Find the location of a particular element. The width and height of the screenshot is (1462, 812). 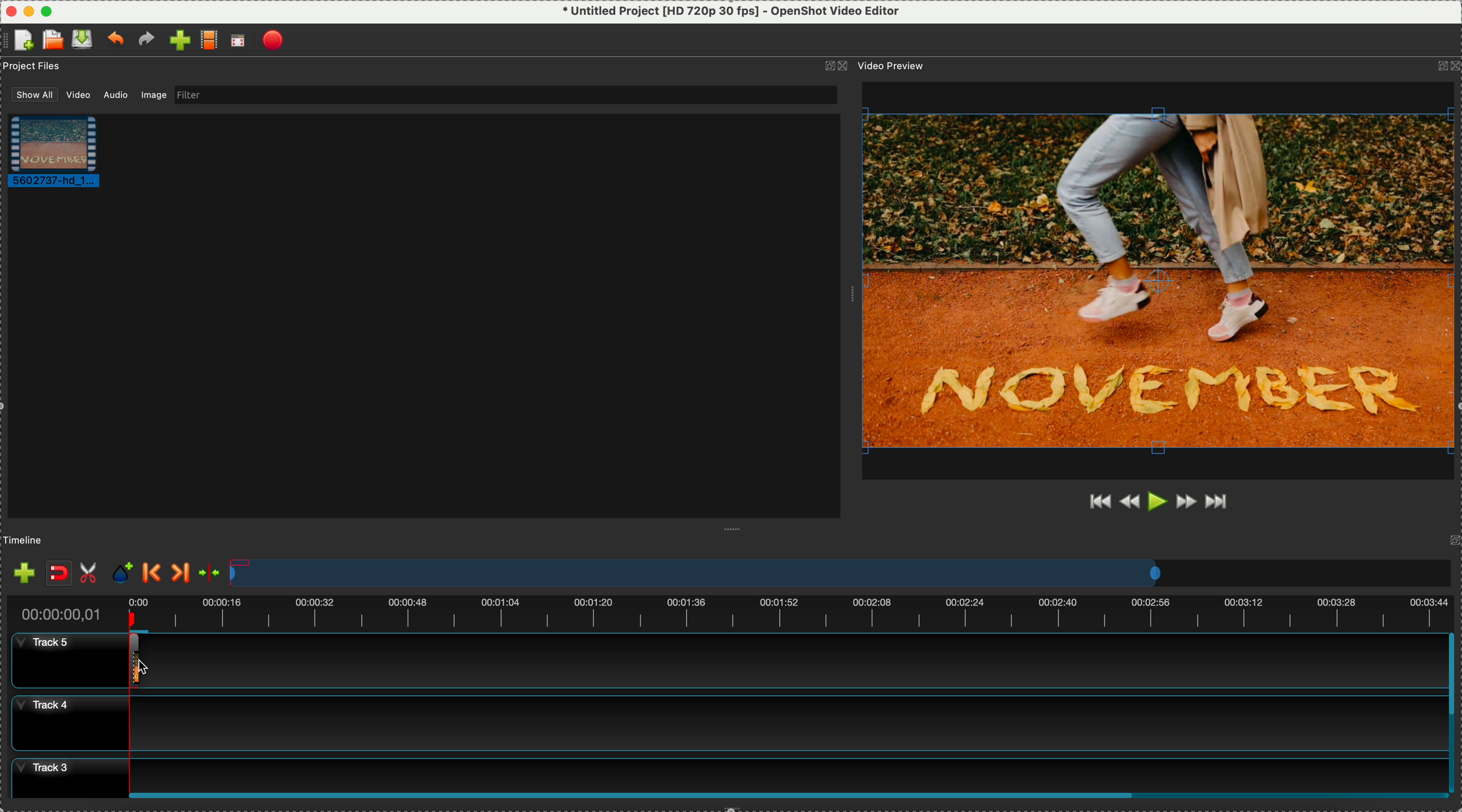

choose profile is located at coordinates (209, 41).